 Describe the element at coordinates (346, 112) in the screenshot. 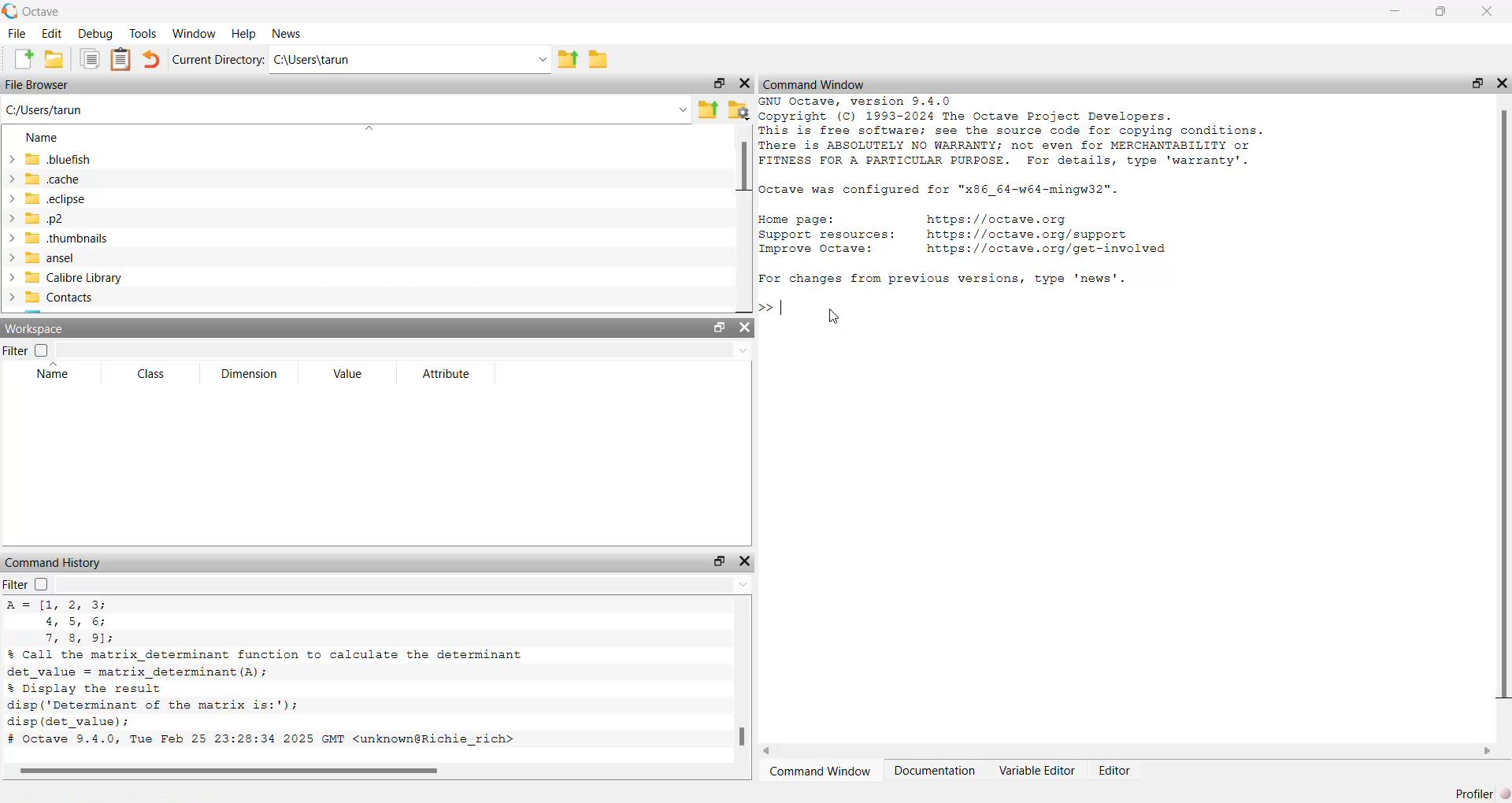

I see `C:/Users/tarun` at that location.